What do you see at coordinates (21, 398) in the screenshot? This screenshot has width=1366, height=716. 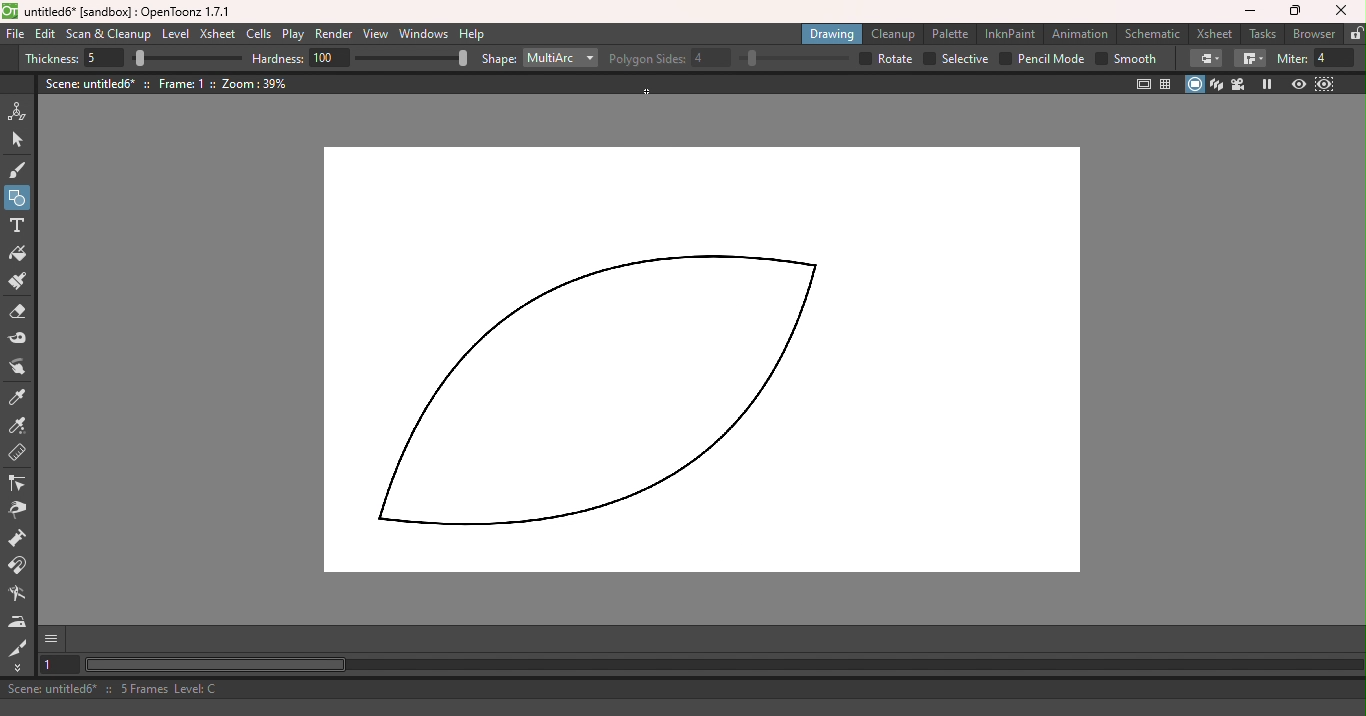 I see `Style picker tool` at bounding box center [21, 398].